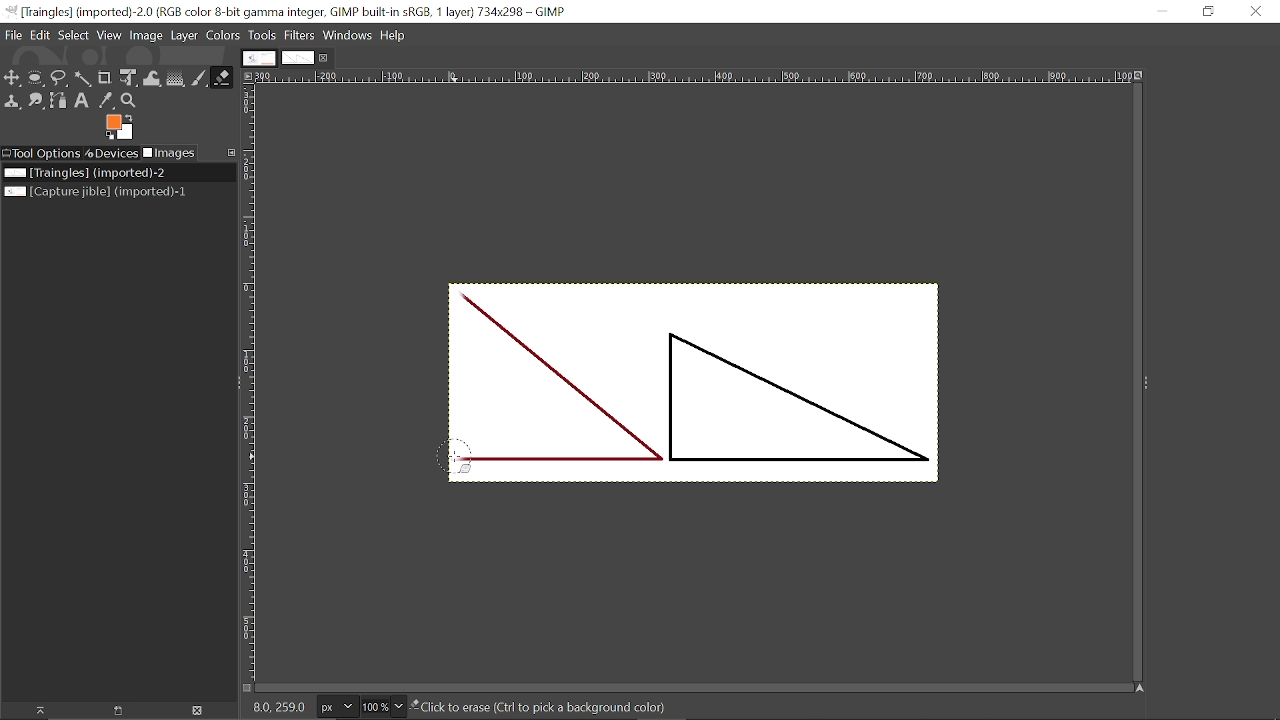  Describe the element at coordinates (82, 102) in the screenshot. I see `Text tool` at that location.